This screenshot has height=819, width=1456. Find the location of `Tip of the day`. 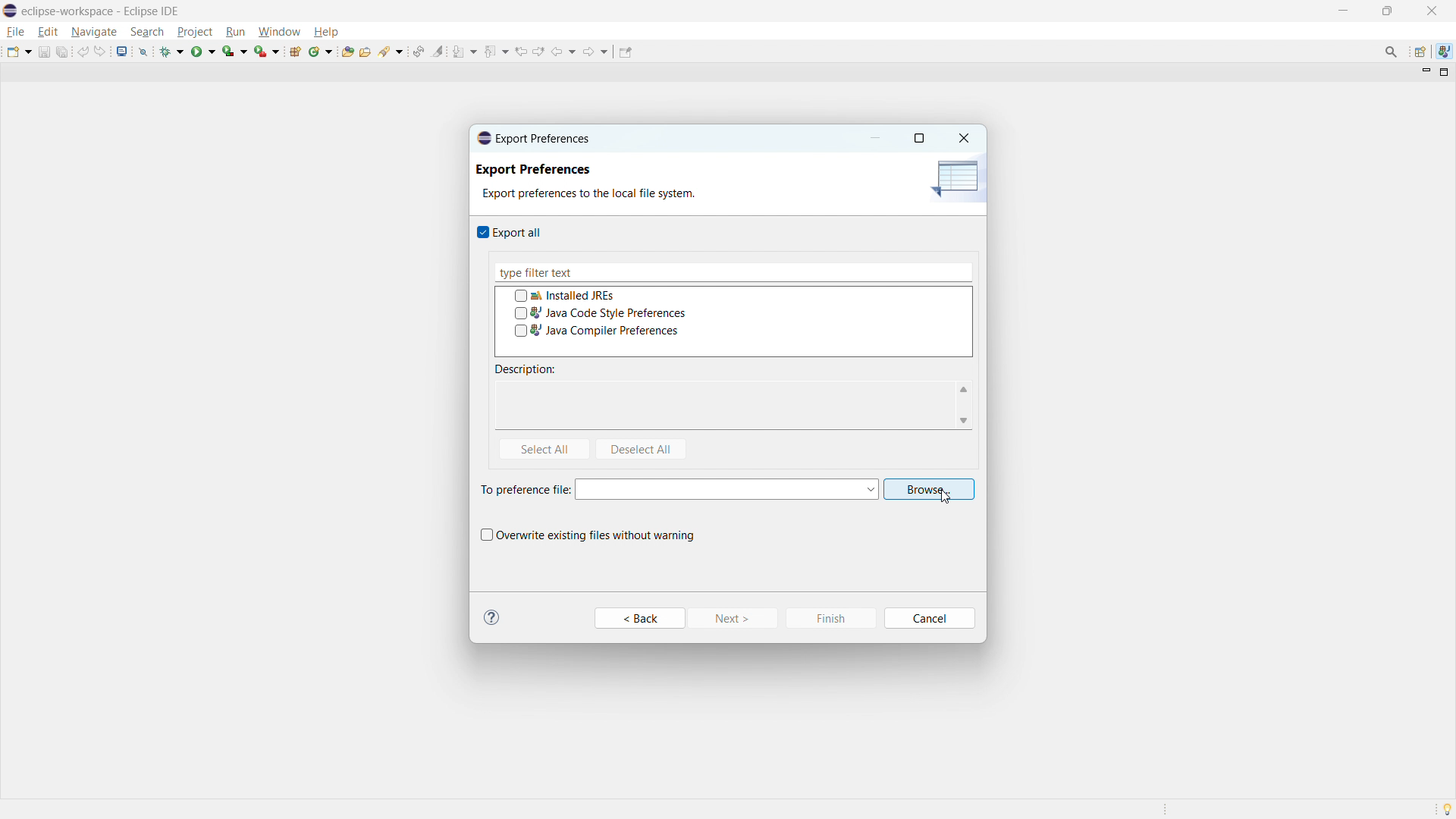

Tip of the day is located at coordinates (1444, 808).